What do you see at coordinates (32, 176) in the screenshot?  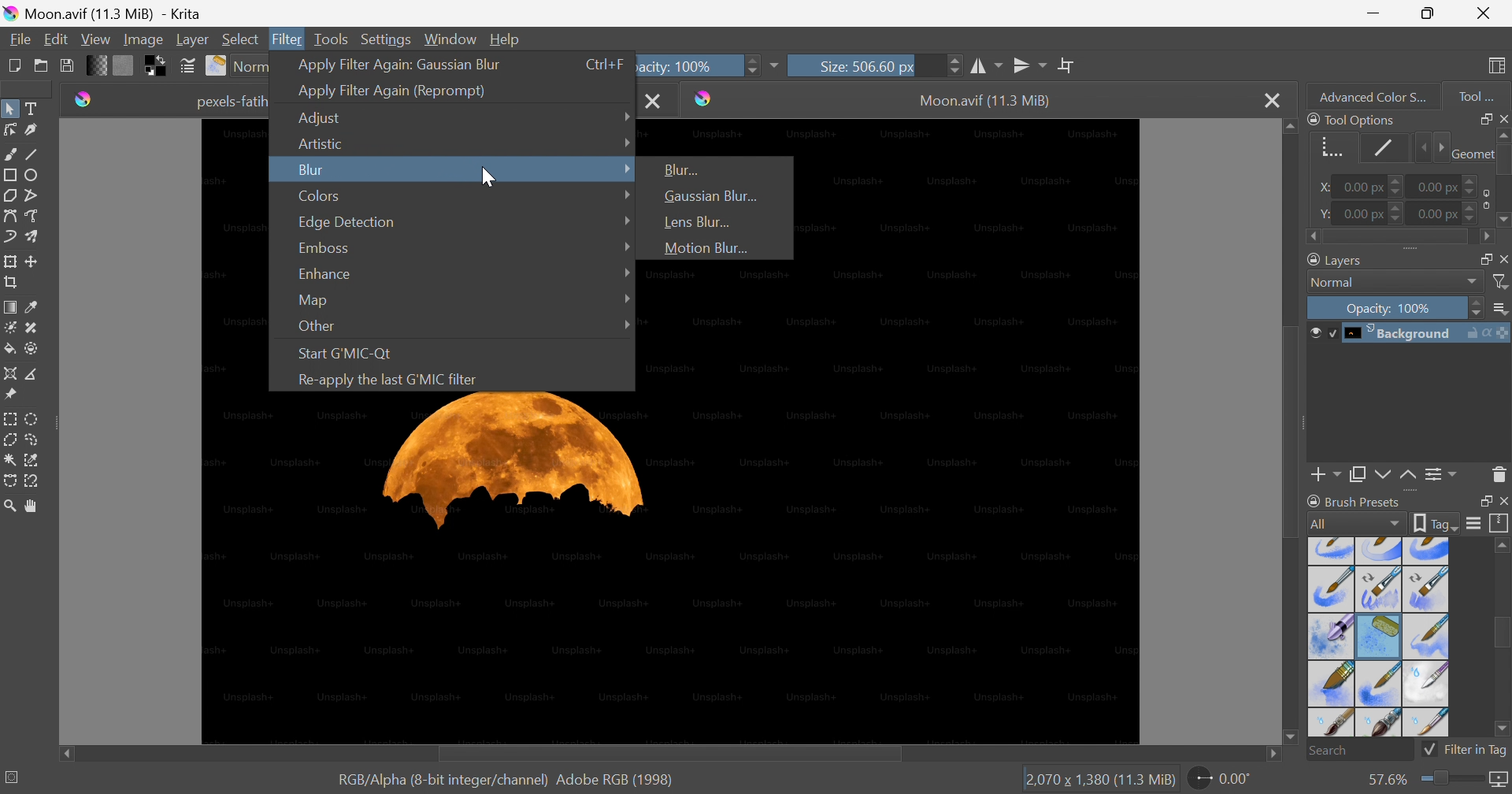 I see `Ellipse tool` at bounding box center [32, 176].